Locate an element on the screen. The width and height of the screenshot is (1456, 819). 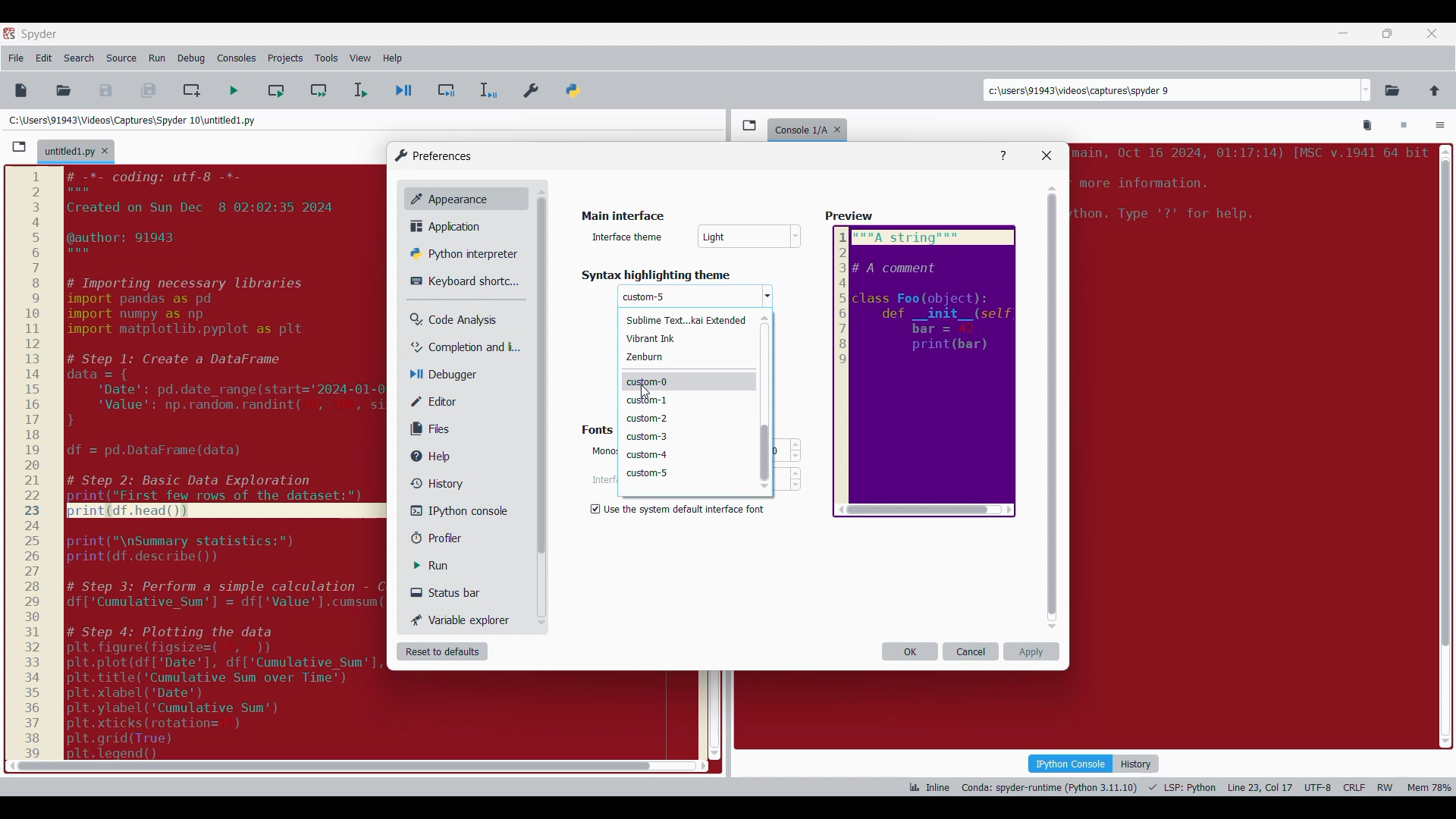
Status bar is located at coordinates (451, 592).